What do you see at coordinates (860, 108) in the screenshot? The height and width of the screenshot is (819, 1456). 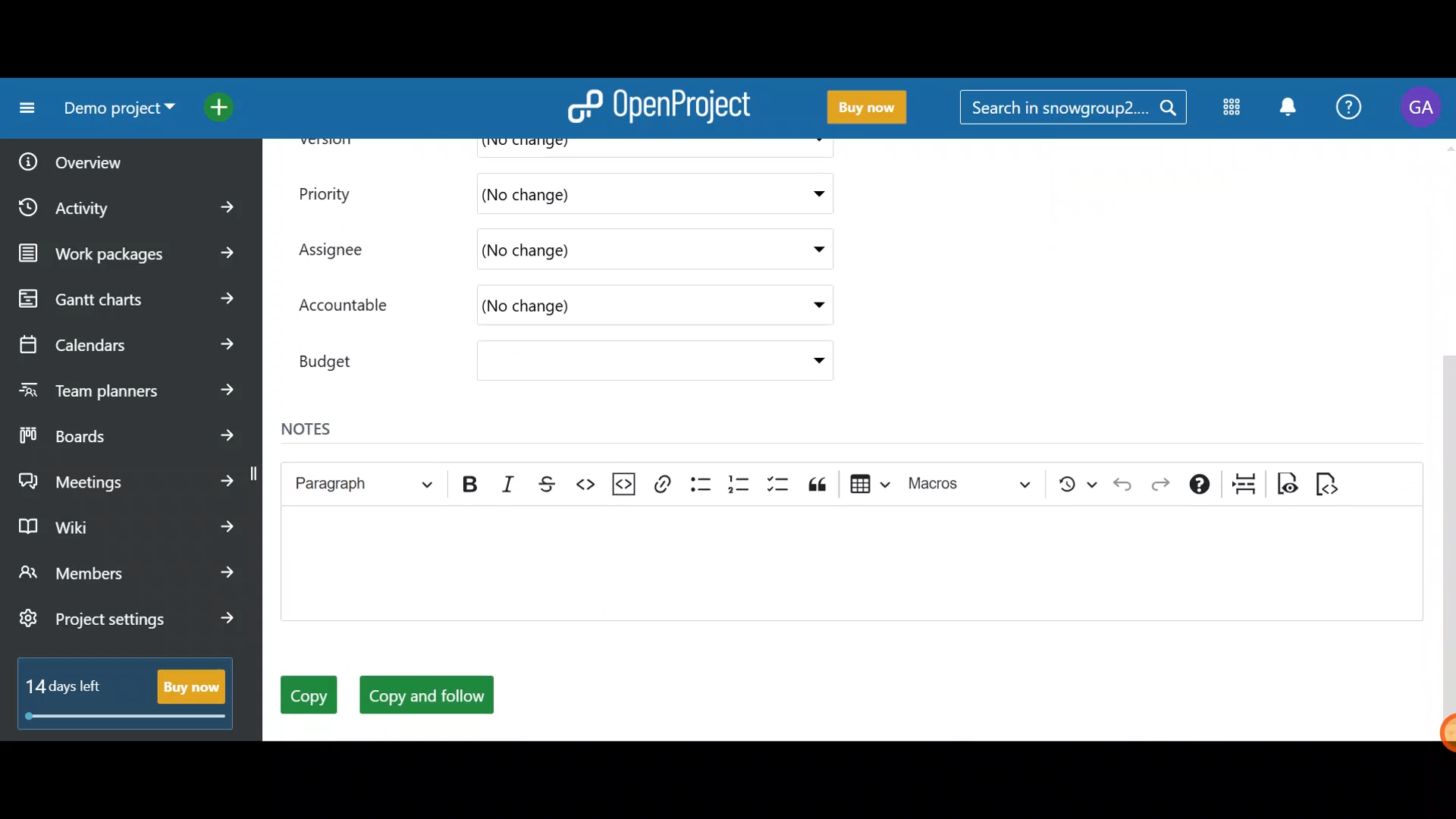 I see `Buy now` at bounding box center [860, 108].